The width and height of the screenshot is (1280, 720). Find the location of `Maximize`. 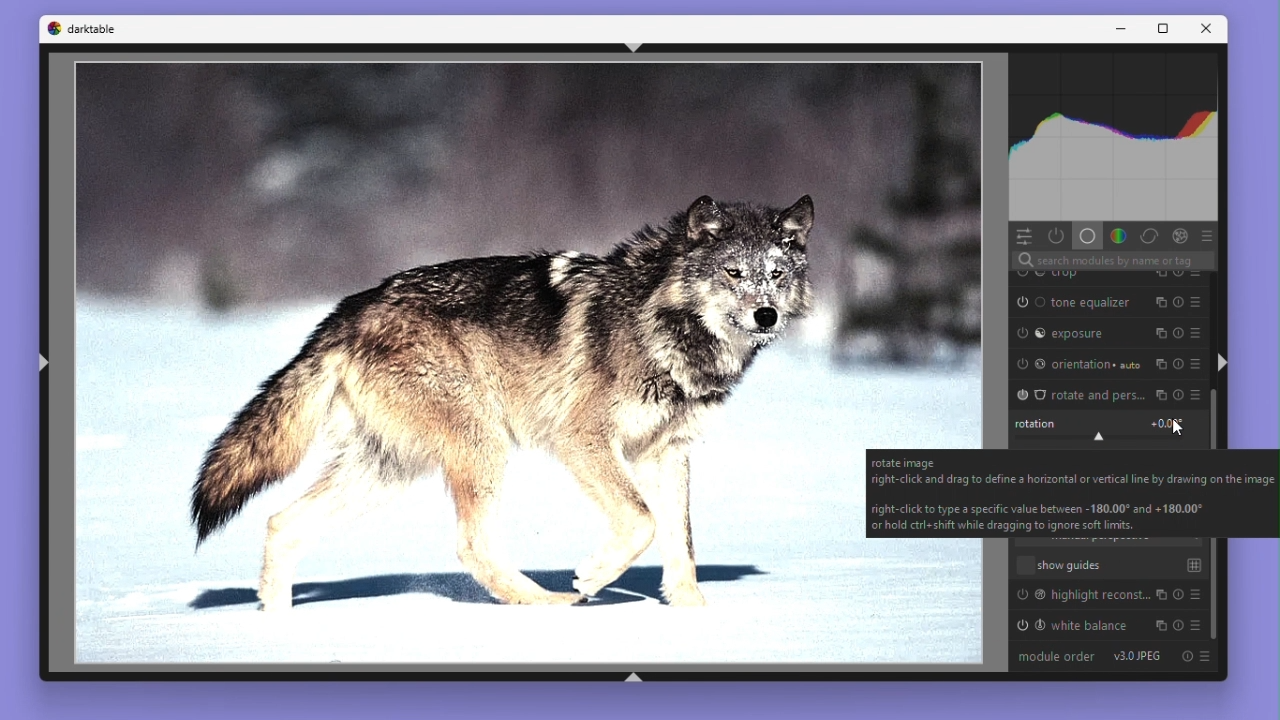

Maximize is located at coordinates (1165, 31).